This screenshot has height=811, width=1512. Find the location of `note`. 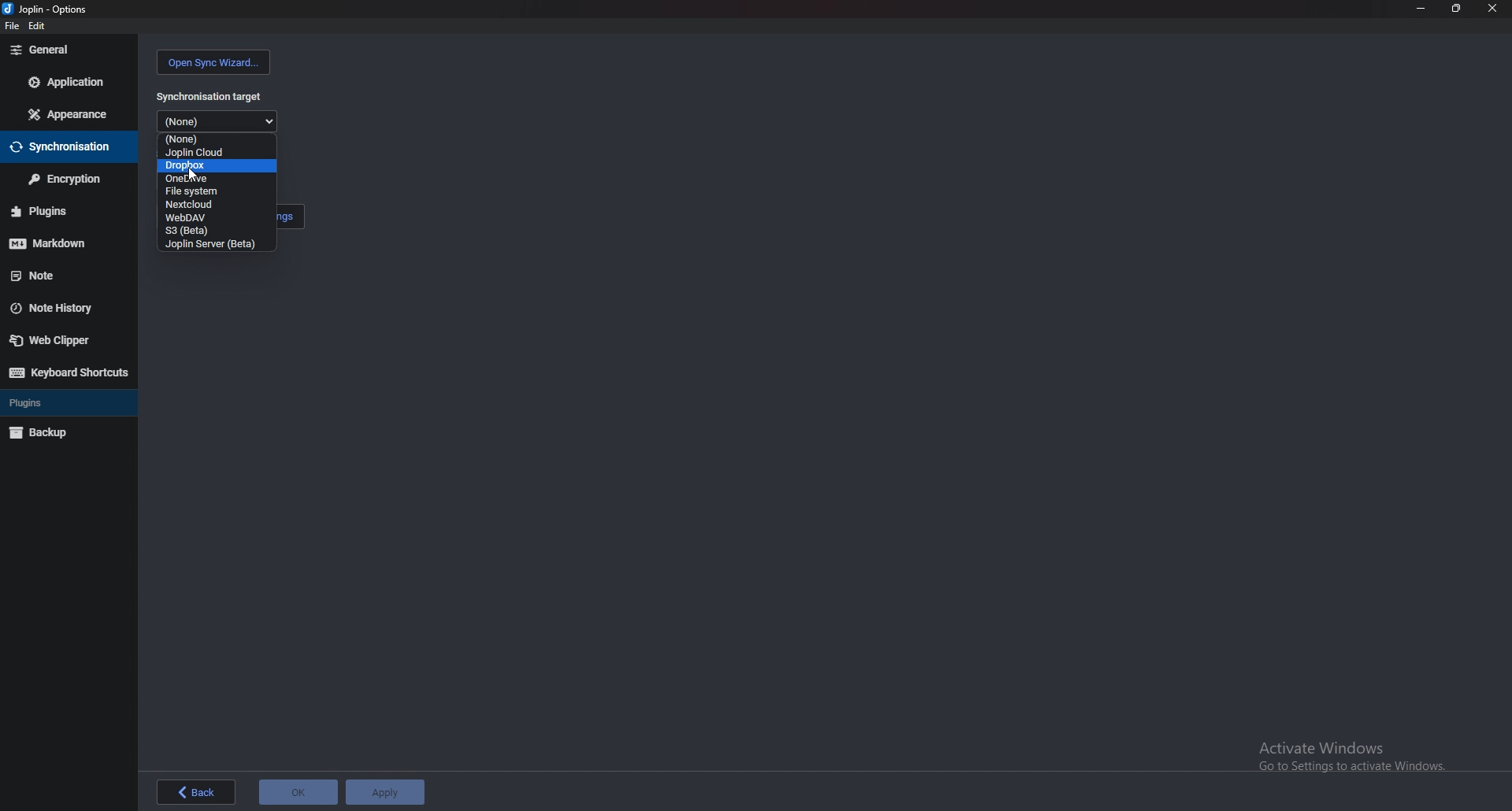

note is located at coordinates (65, 273).